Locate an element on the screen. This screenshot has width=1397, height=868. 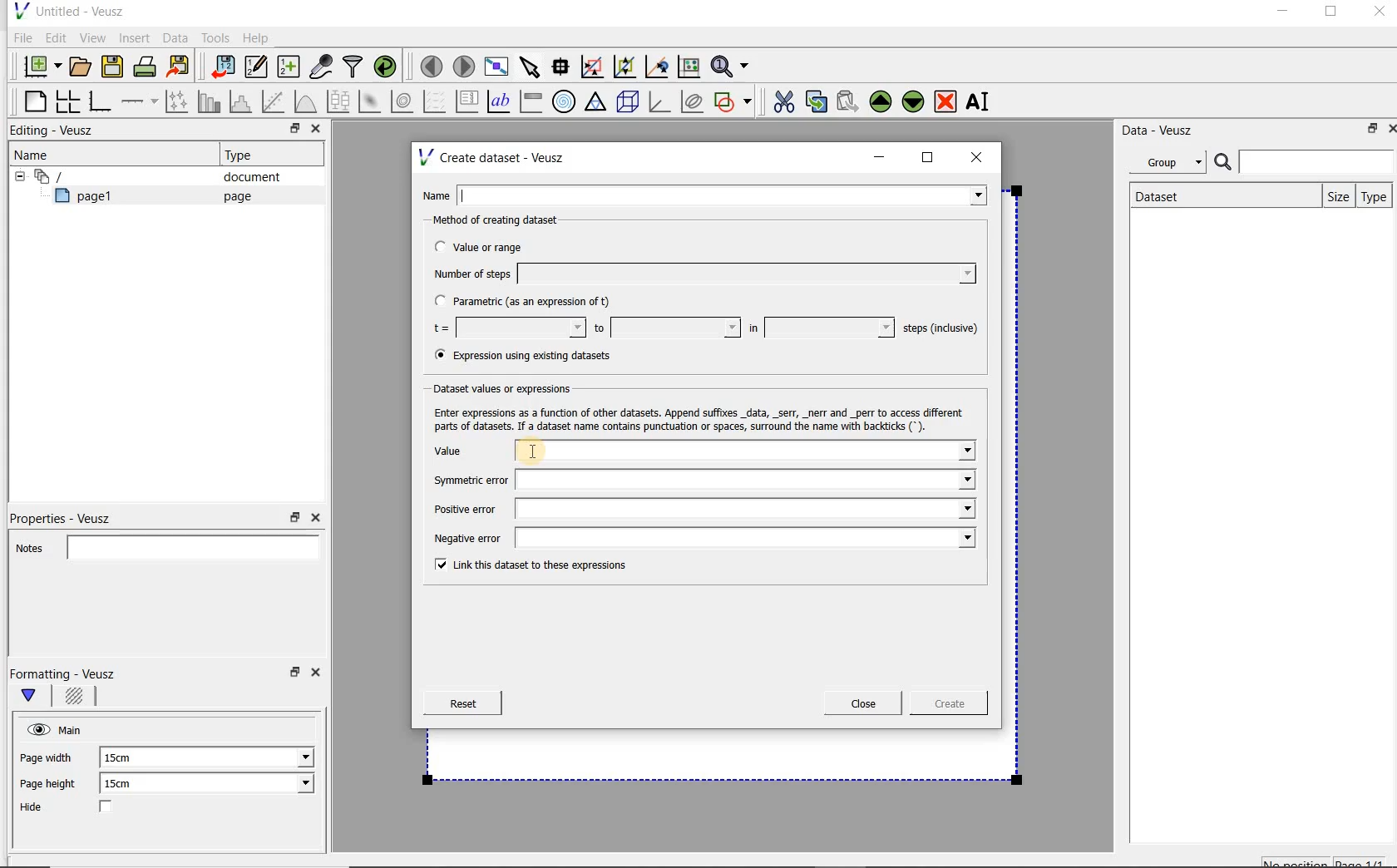
filter data is located at coordinates (353, 68).